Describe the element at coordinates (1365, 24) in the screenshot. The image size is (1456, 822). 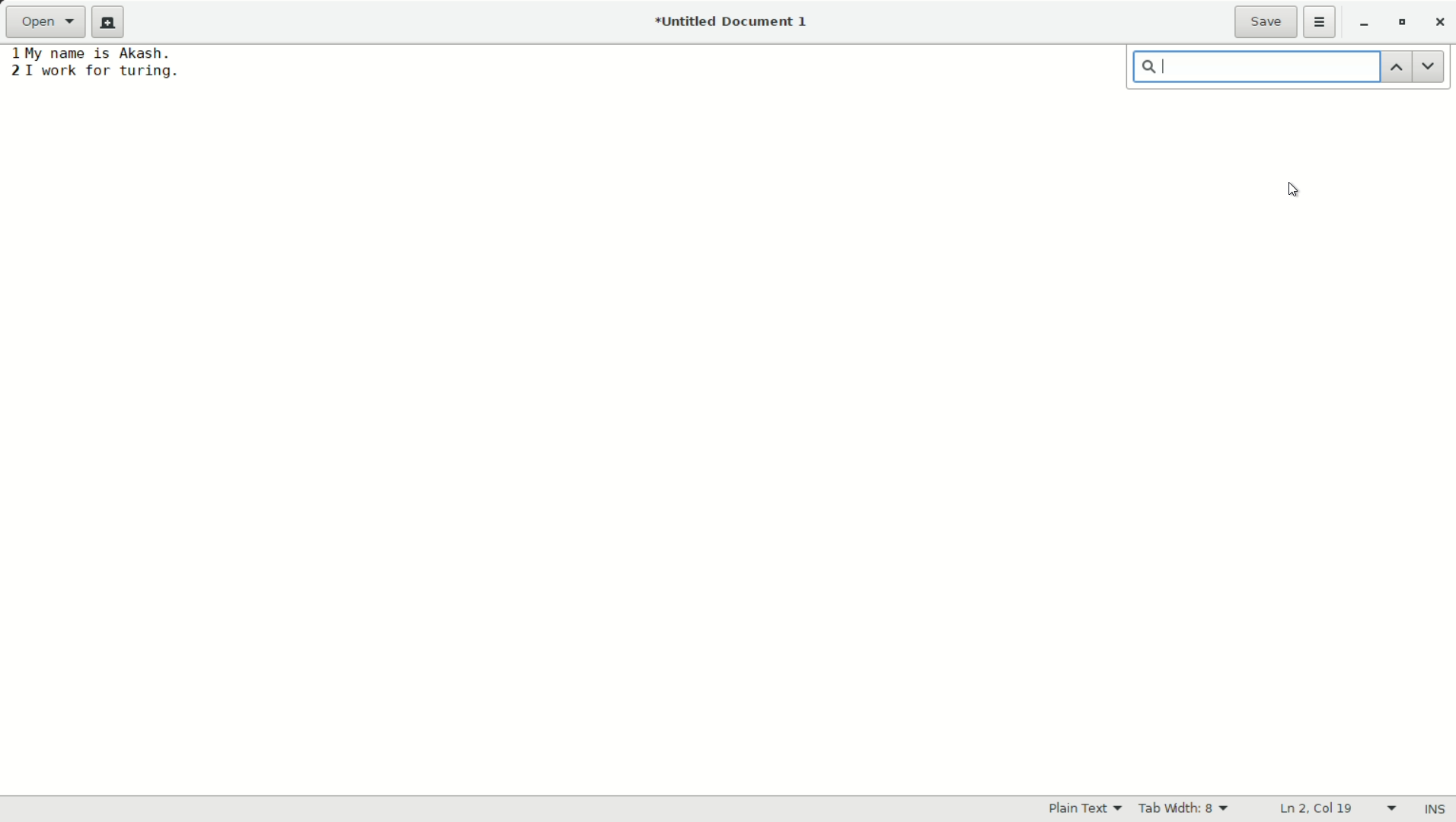
I see `minimize` at that location.